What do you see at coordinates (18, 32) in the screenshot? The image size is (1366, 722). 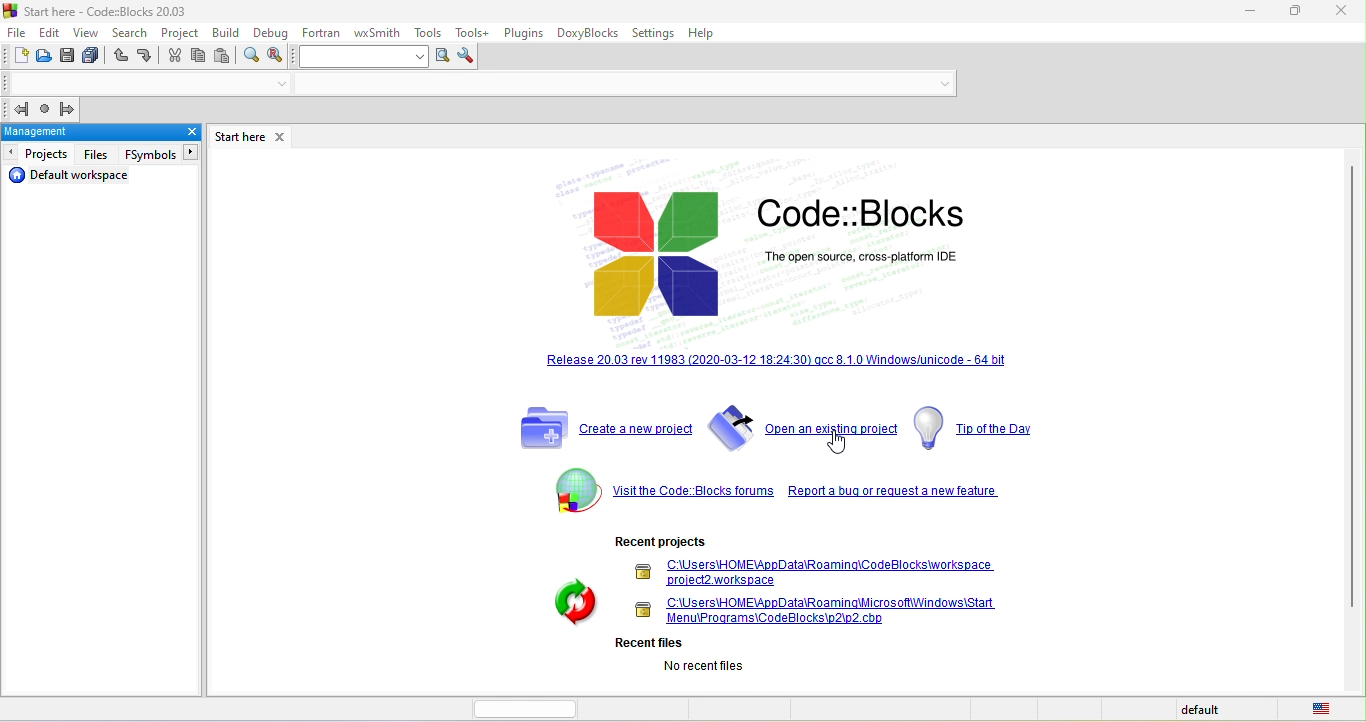 I see `file` at bounding box center [18, 32].